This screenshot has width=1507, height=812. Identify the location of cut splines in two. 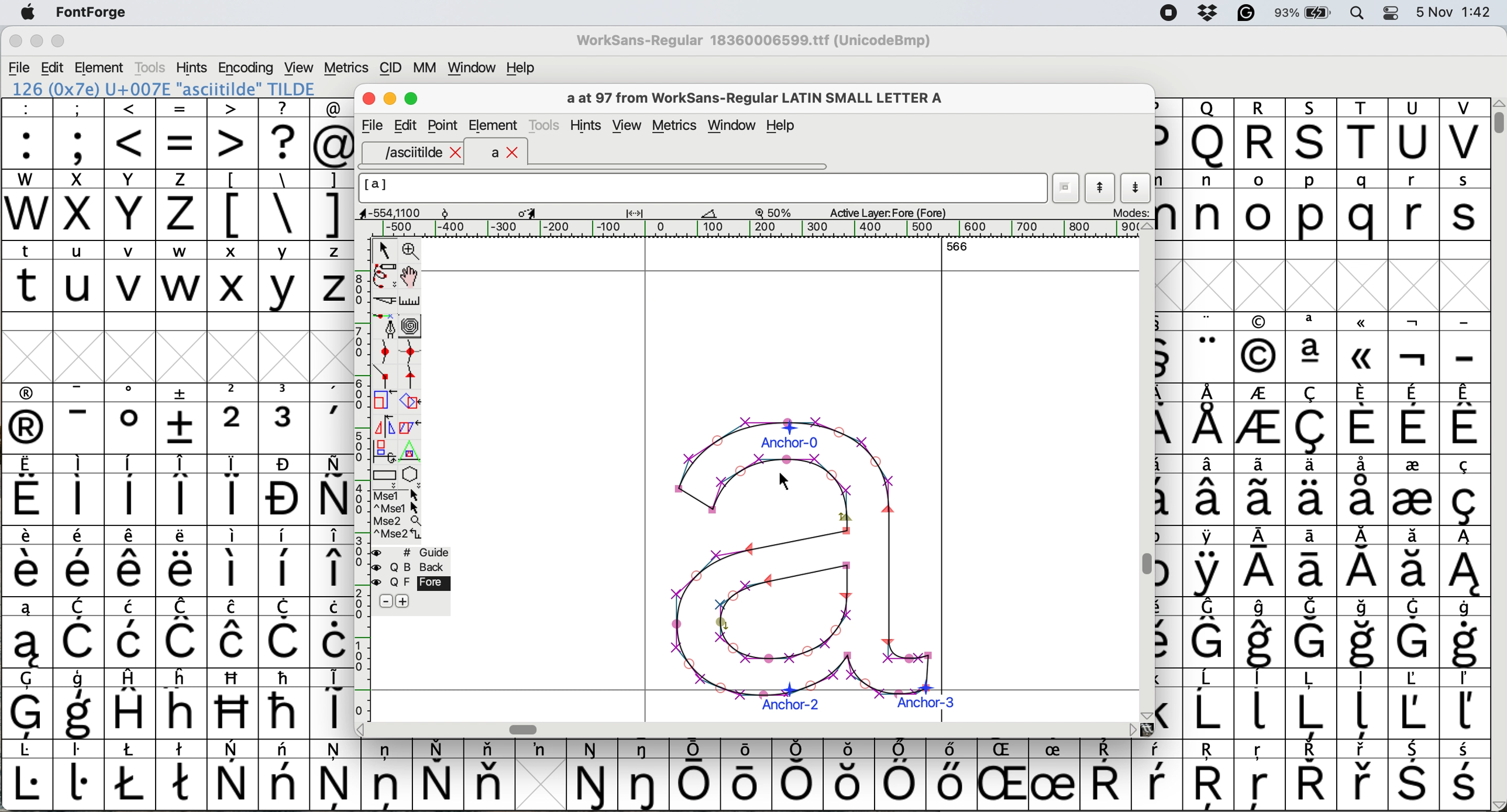
(386, 302).